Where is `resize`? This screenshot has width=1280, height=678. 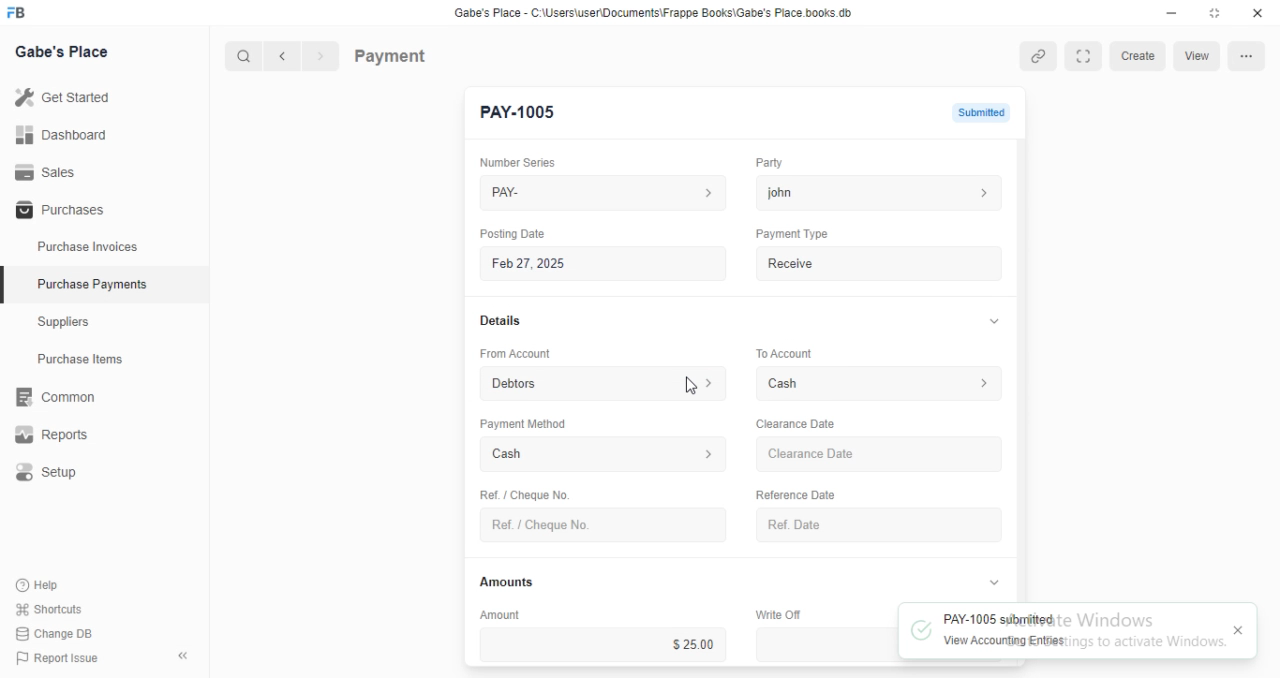
resize is located at coordinates (1213, 13).